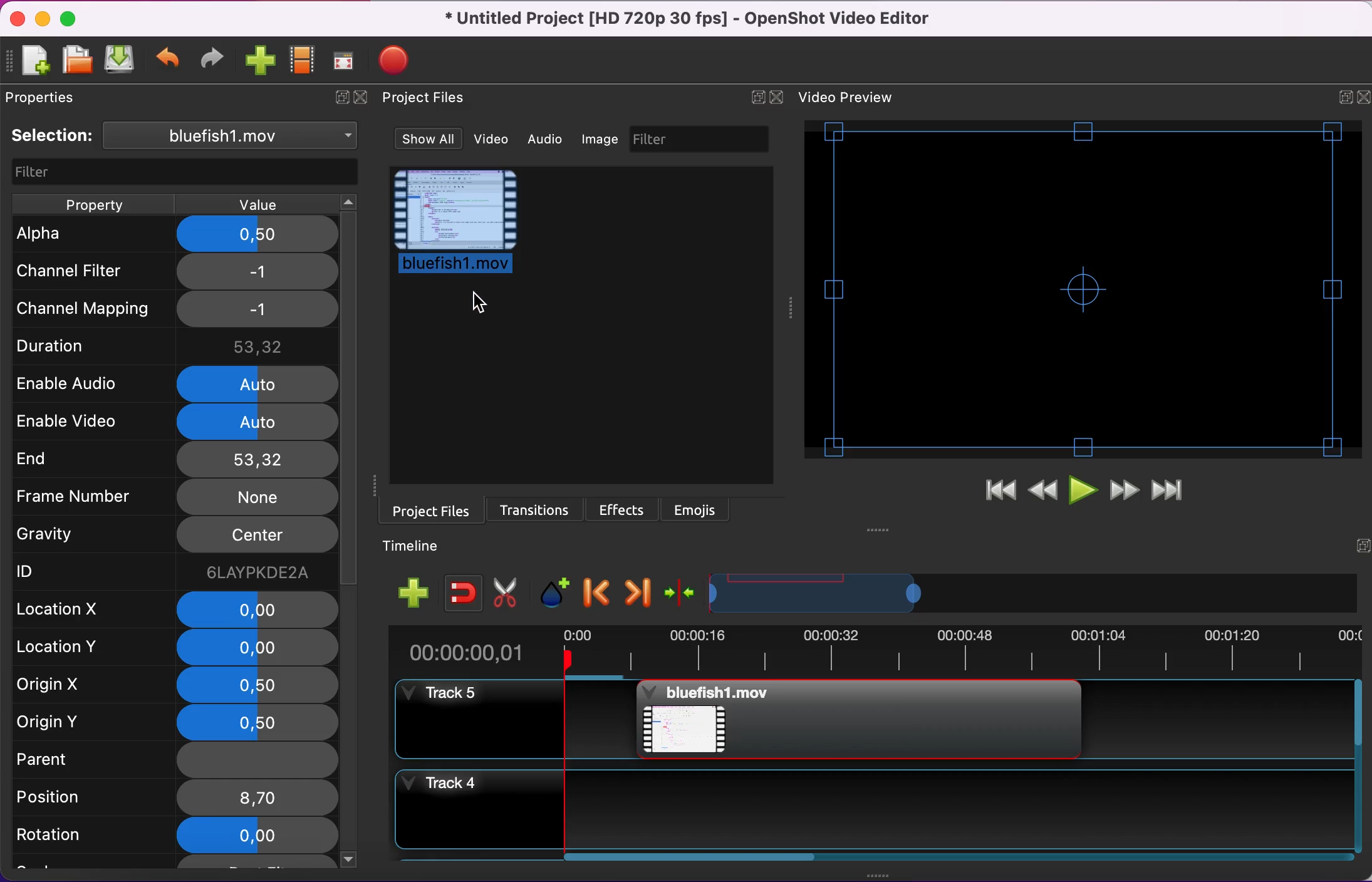 This screenshot has width=1372, height=882. Describe the element at coordinates (783, 98) in the screenshot. I see `close` at that location.